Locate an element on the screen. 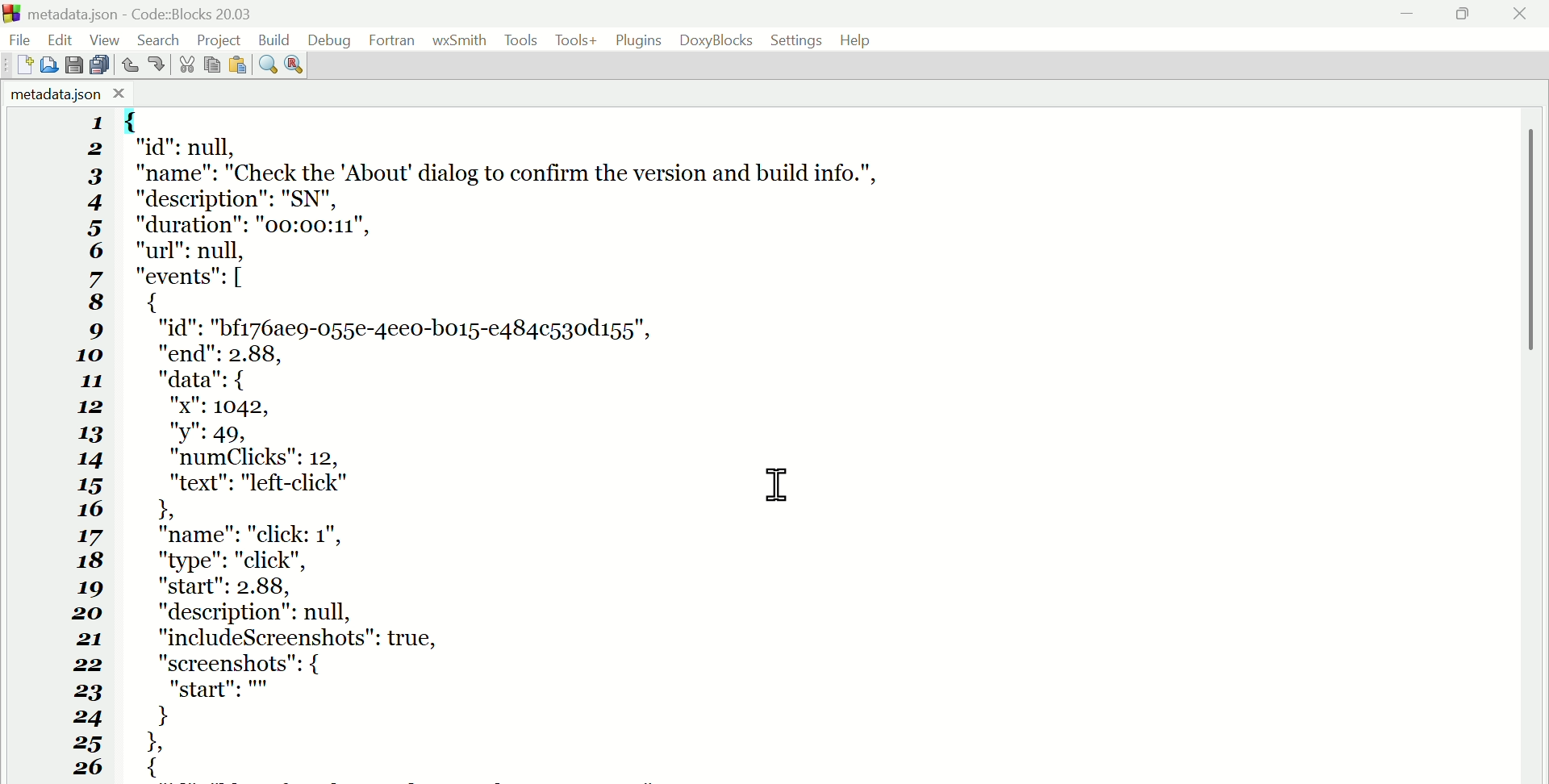 This screenshot has width=1549, height=784. Replace is located at coordinates (294, 63).